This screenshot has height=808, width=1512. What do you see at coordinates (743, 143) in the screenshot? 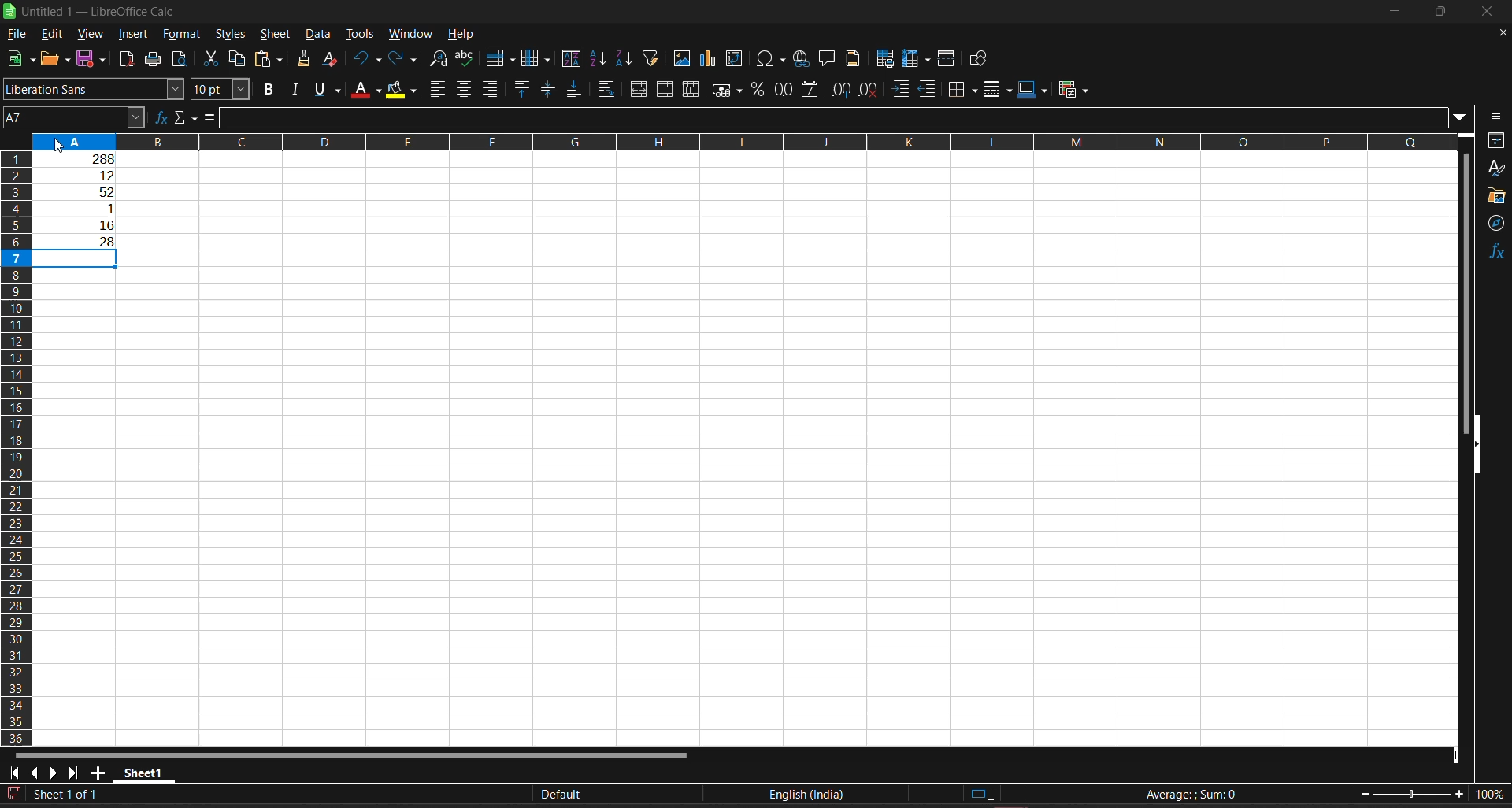
I see `column name` at bounding box center [743, 143].